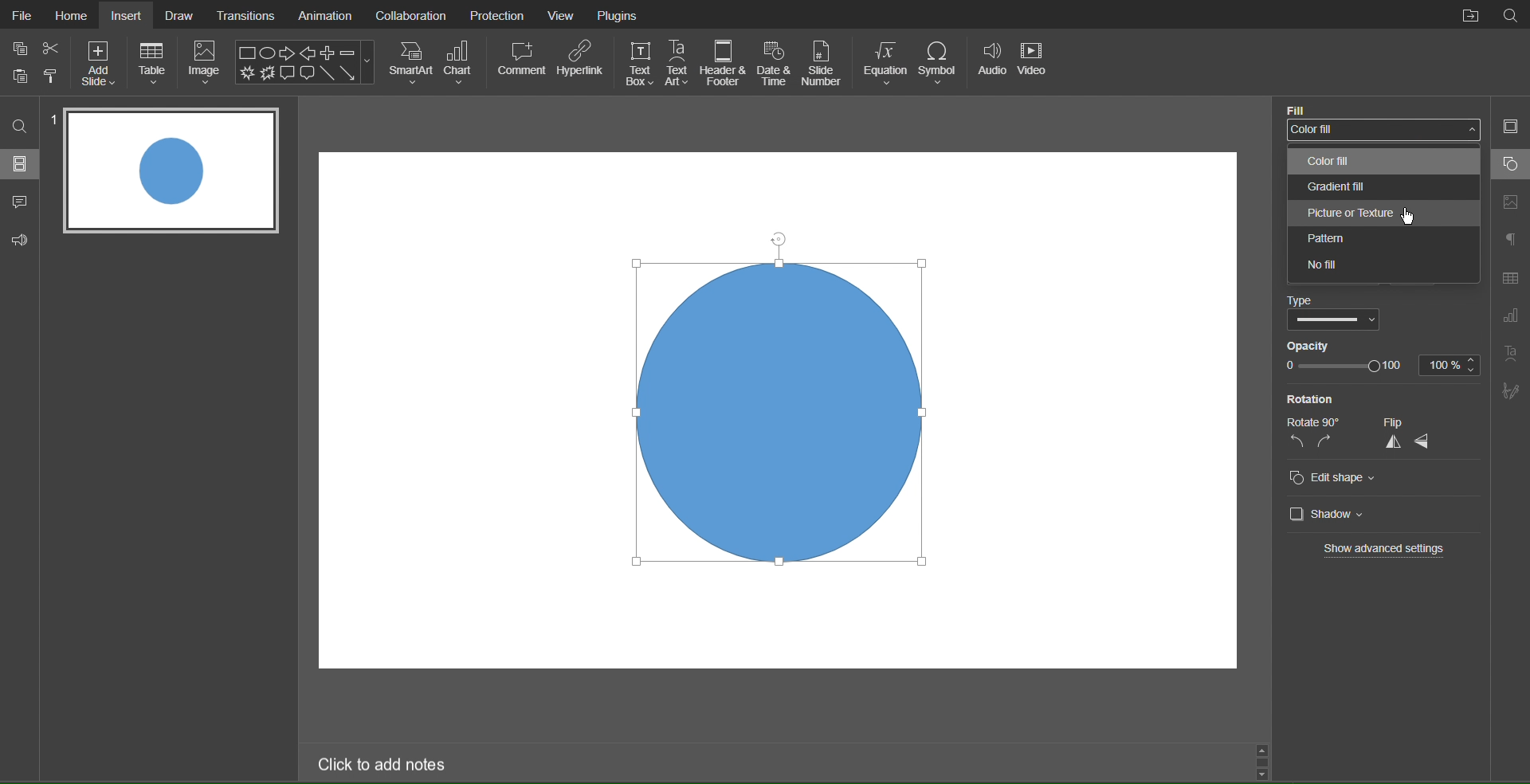 The width and height of the screenshot is (1530, 784). What do you see at coordinates (581, 62) in the screenshot?
I see `Hyperlink` at bounding box center [581, 62].